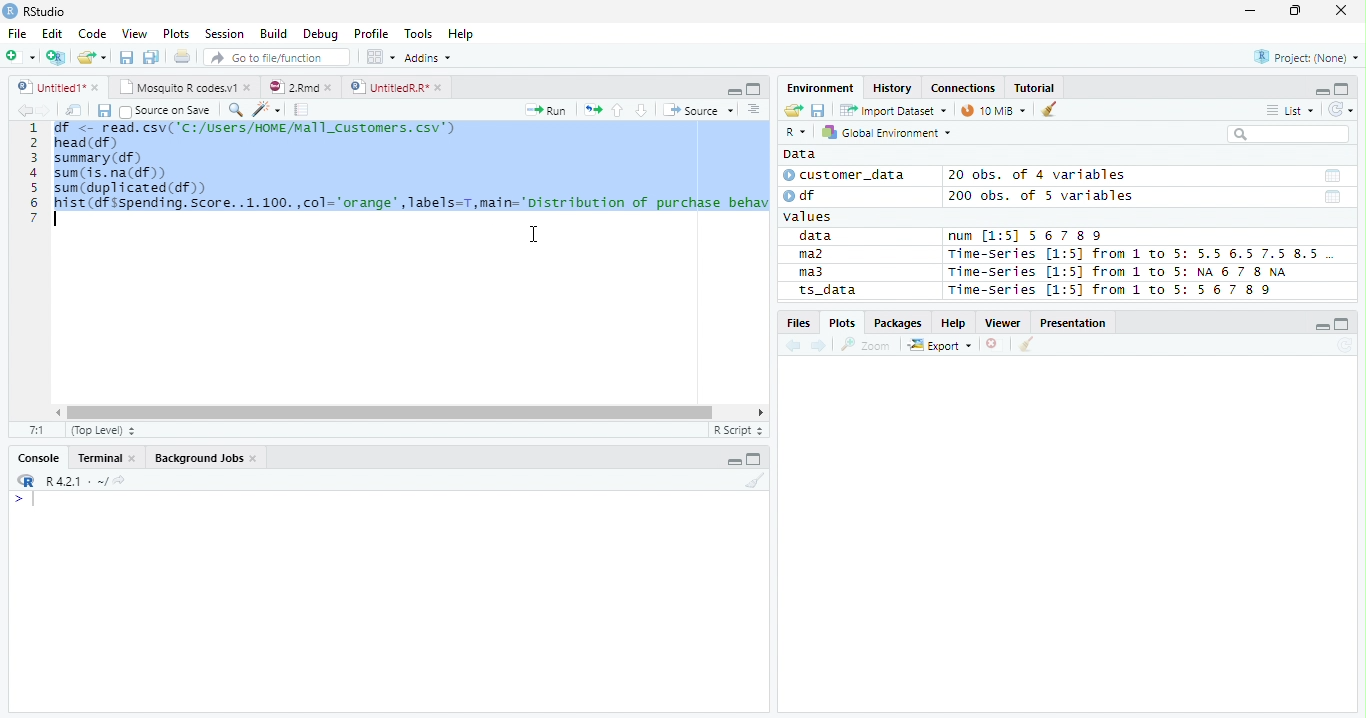 The width and height of the screenshot is (1366, 718). I want to click on Zoom, so click(866, 345).